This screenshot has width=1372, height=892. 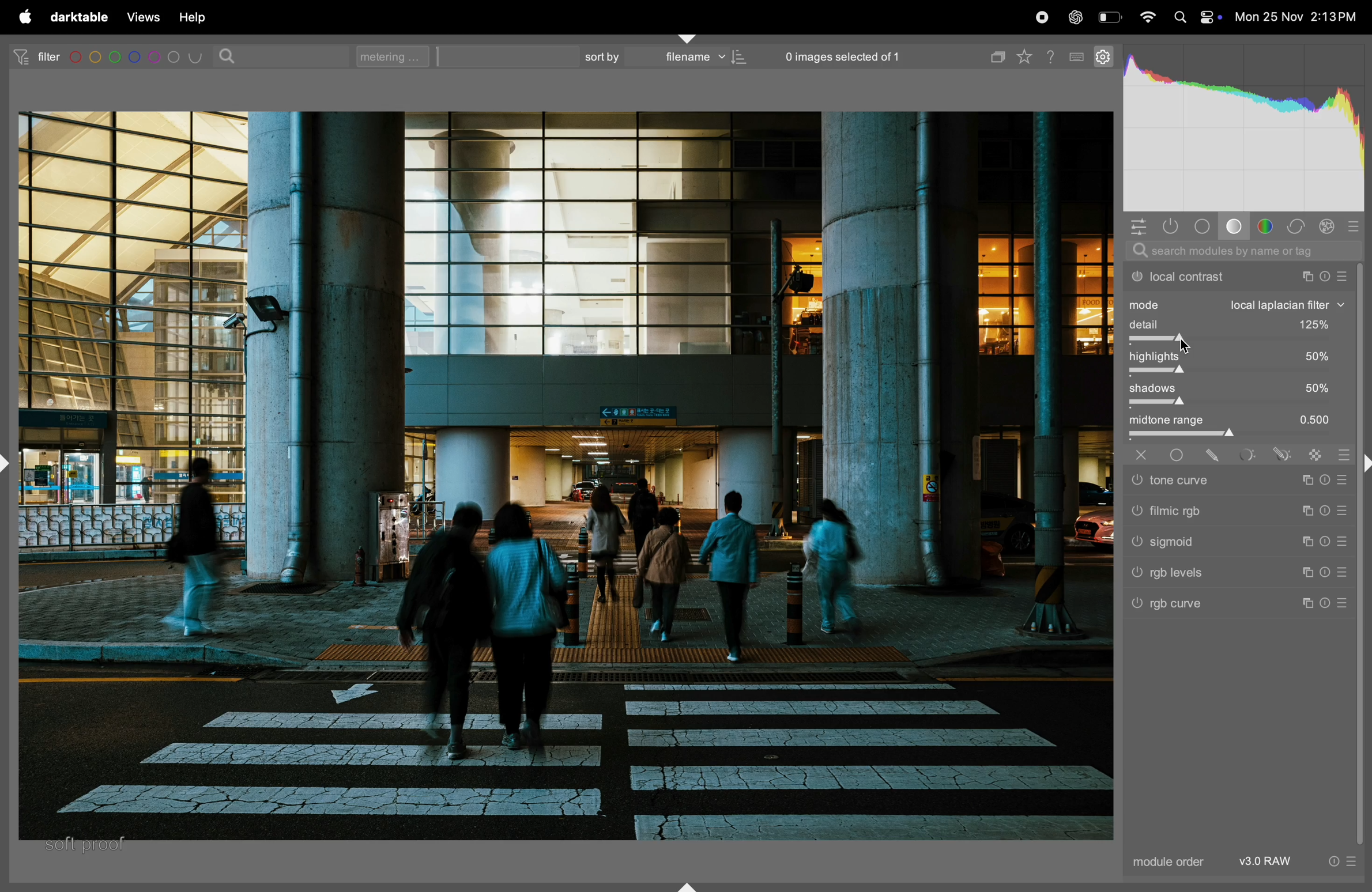 What do you see at coordinates (1281, 456) in the screenshot?
I see `drawn & parametric mask` at bounding box center [1281, 456].